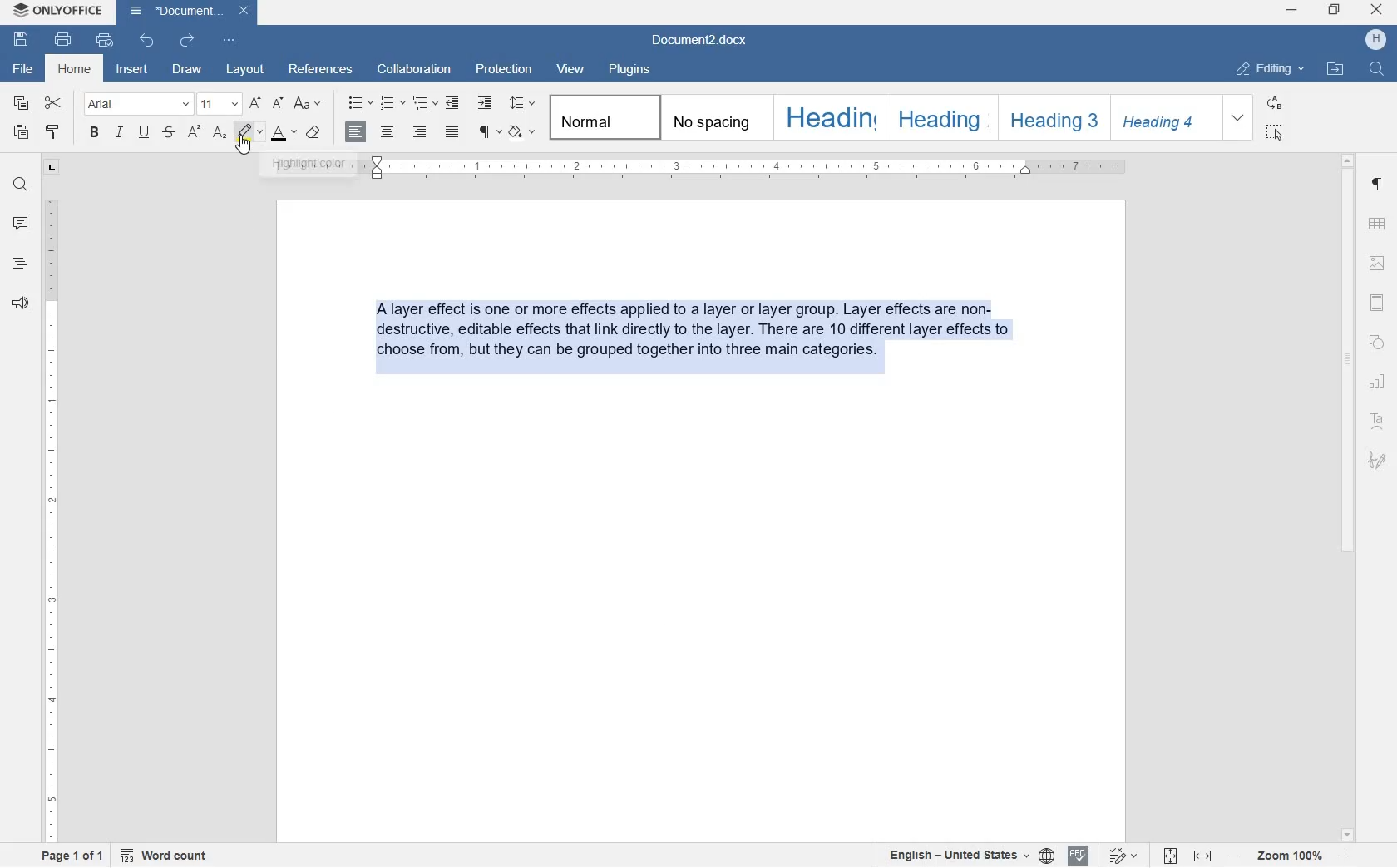 The height and width of the screenshot is (868, 1397). I want to click on HEADING 2, so click(940, 118).